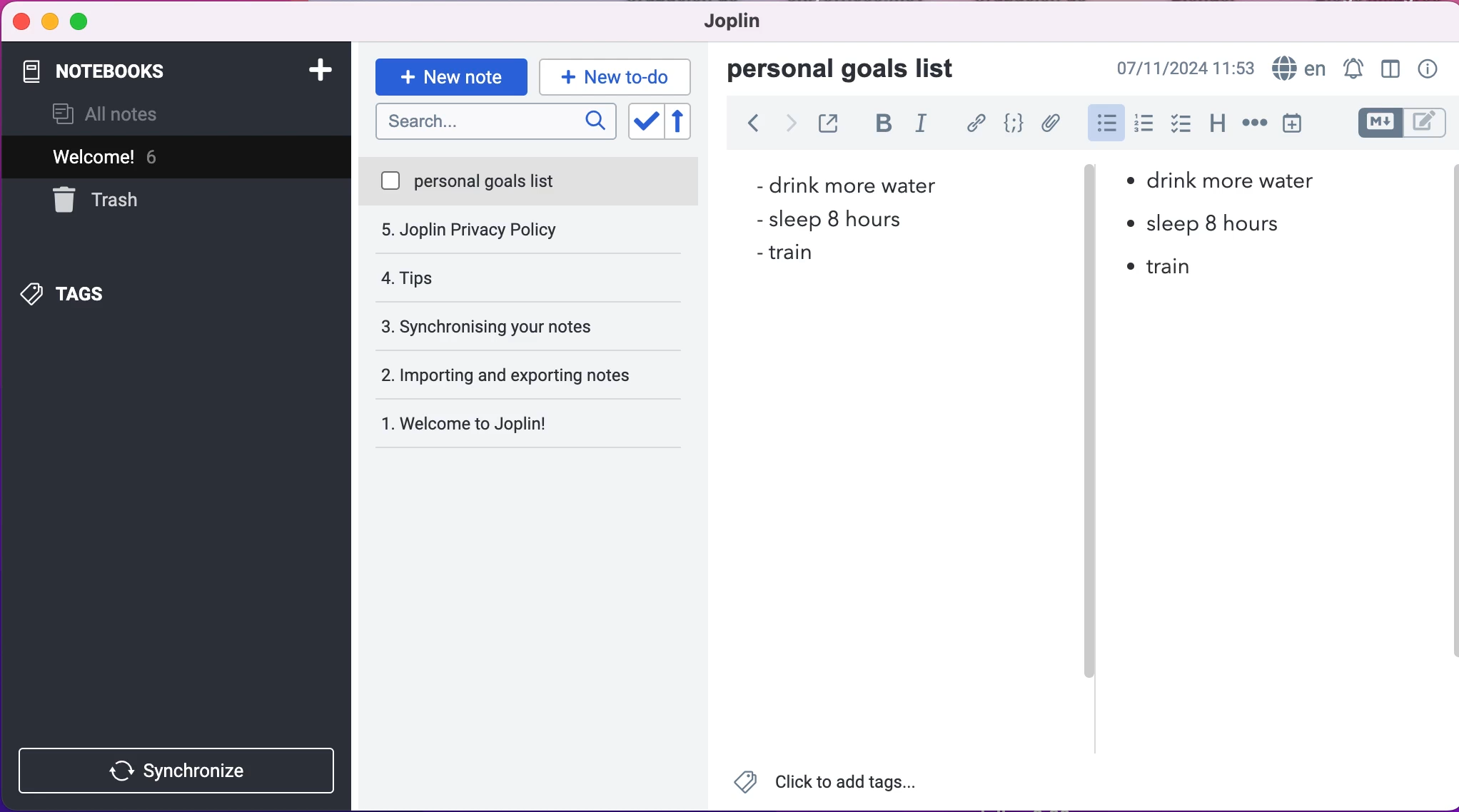 The image size is (1459, 812). I want to click on reverse sort order, so click(687, 122).